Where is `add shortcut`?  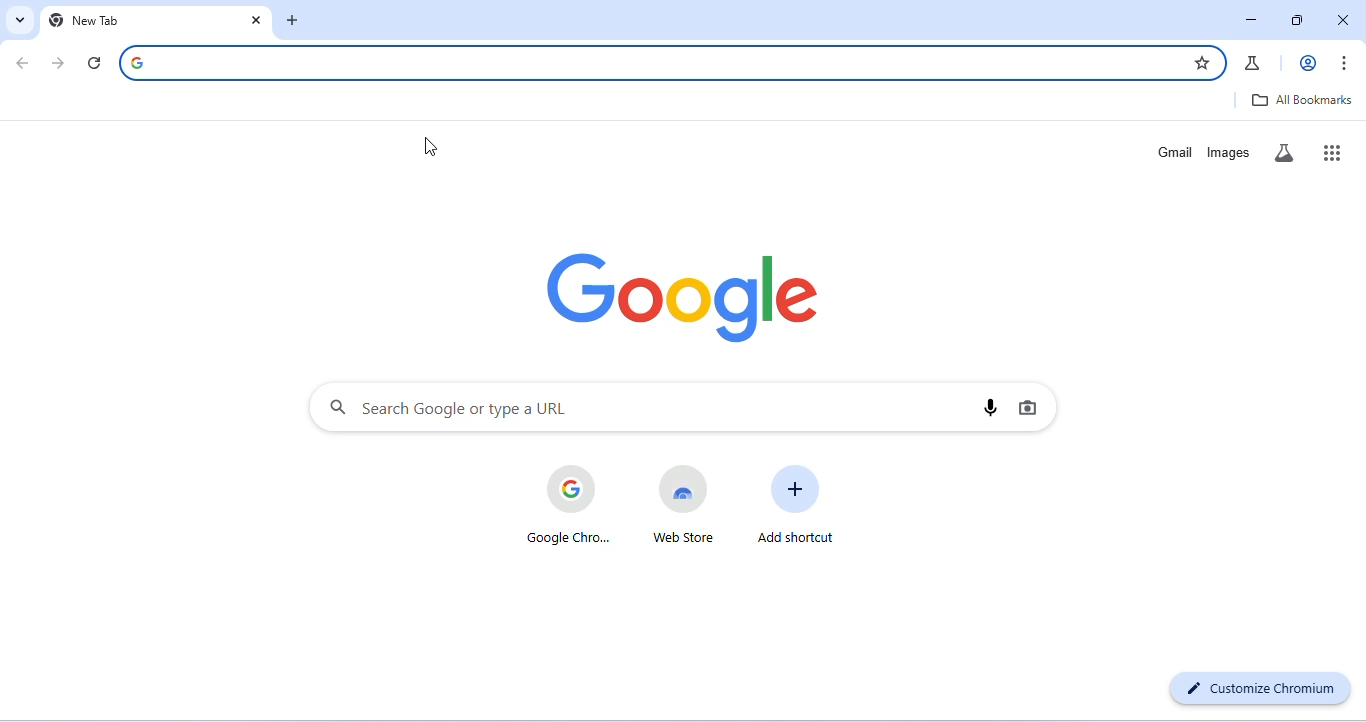
add shortcut is located at coordinates (797, 503).